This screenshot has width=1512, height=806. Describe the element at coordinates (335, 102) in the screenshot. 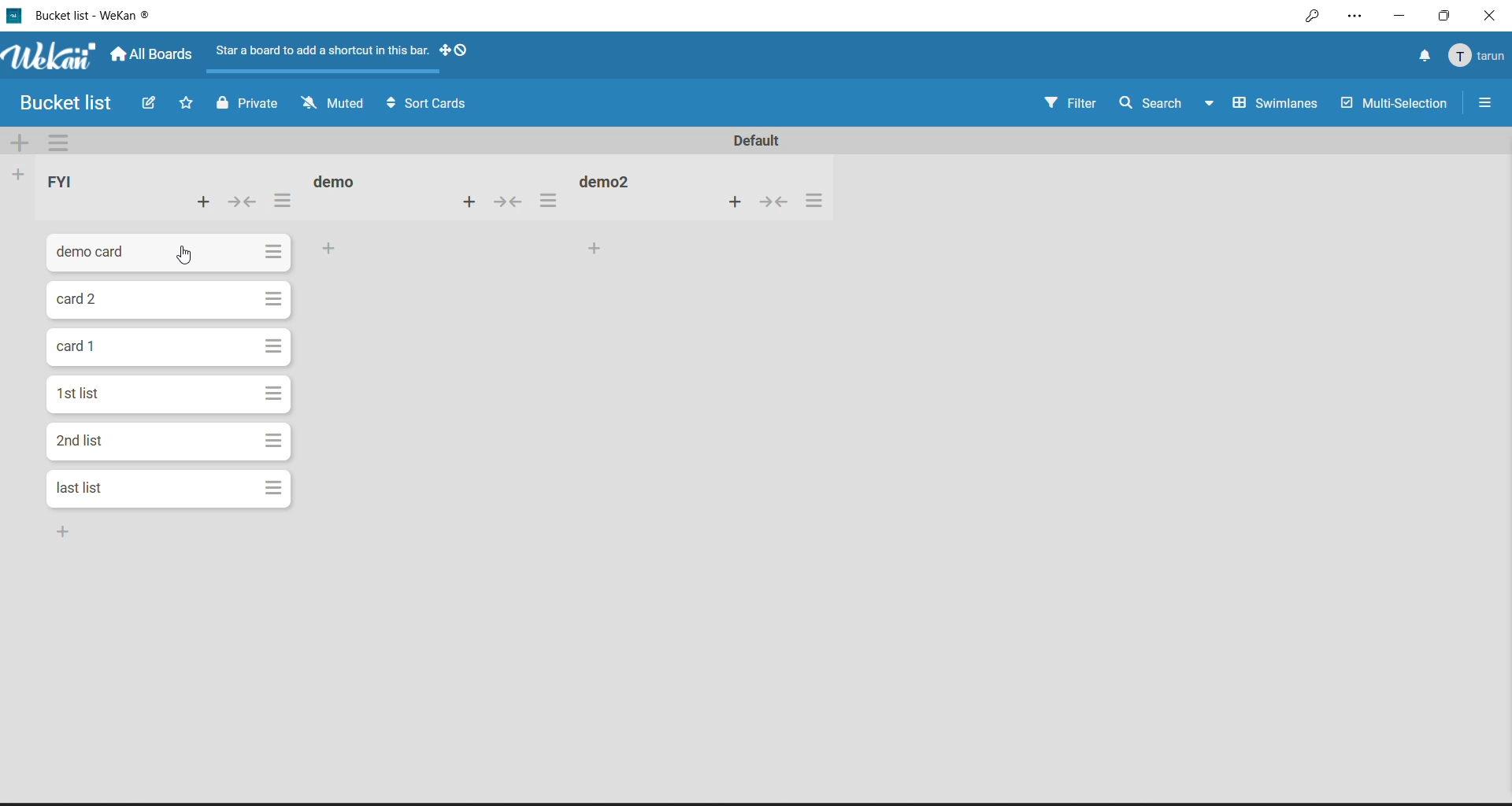

I see `muted` at that location.